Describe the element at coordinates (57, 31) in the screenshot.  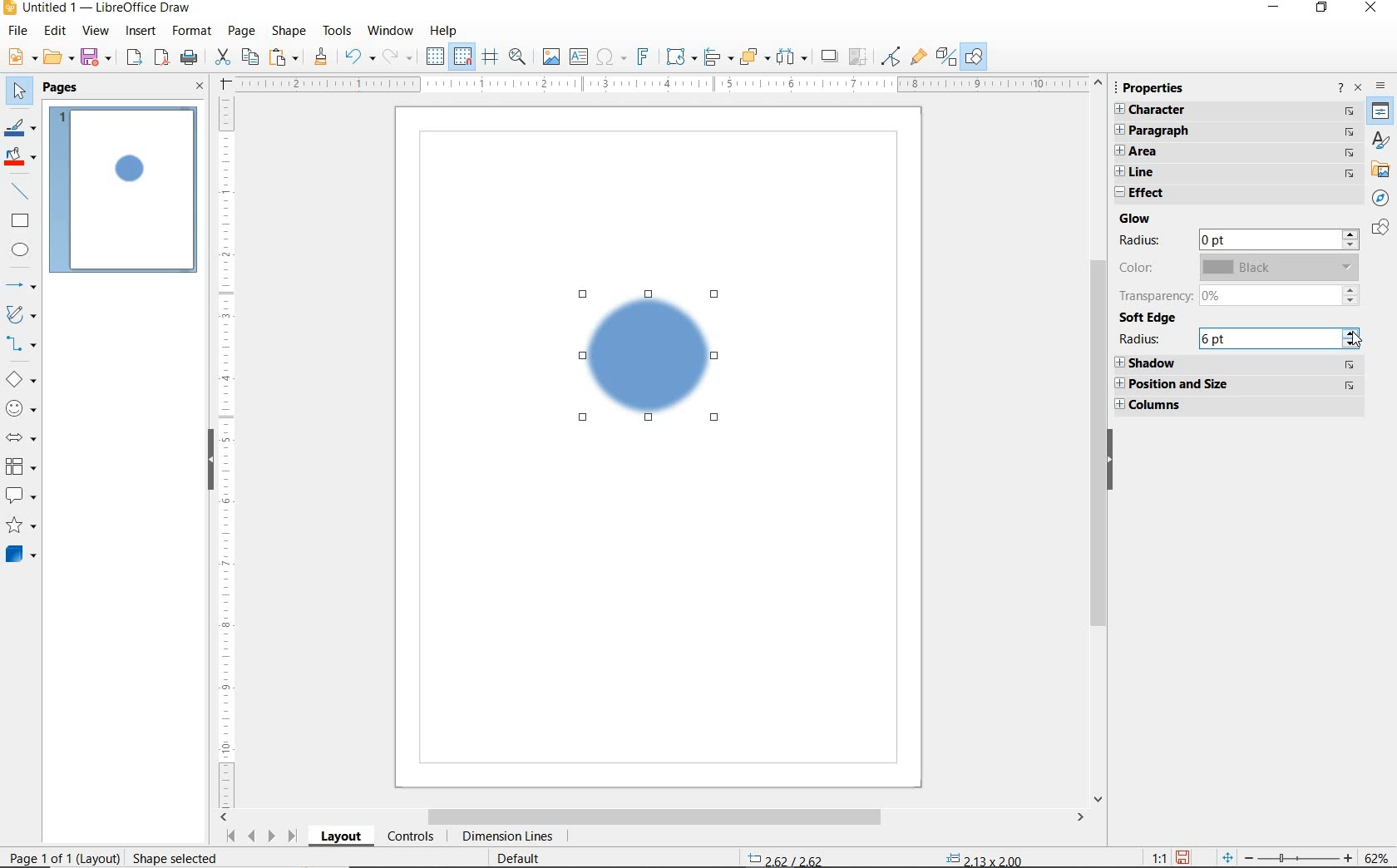
I see `EDIT` at that location.